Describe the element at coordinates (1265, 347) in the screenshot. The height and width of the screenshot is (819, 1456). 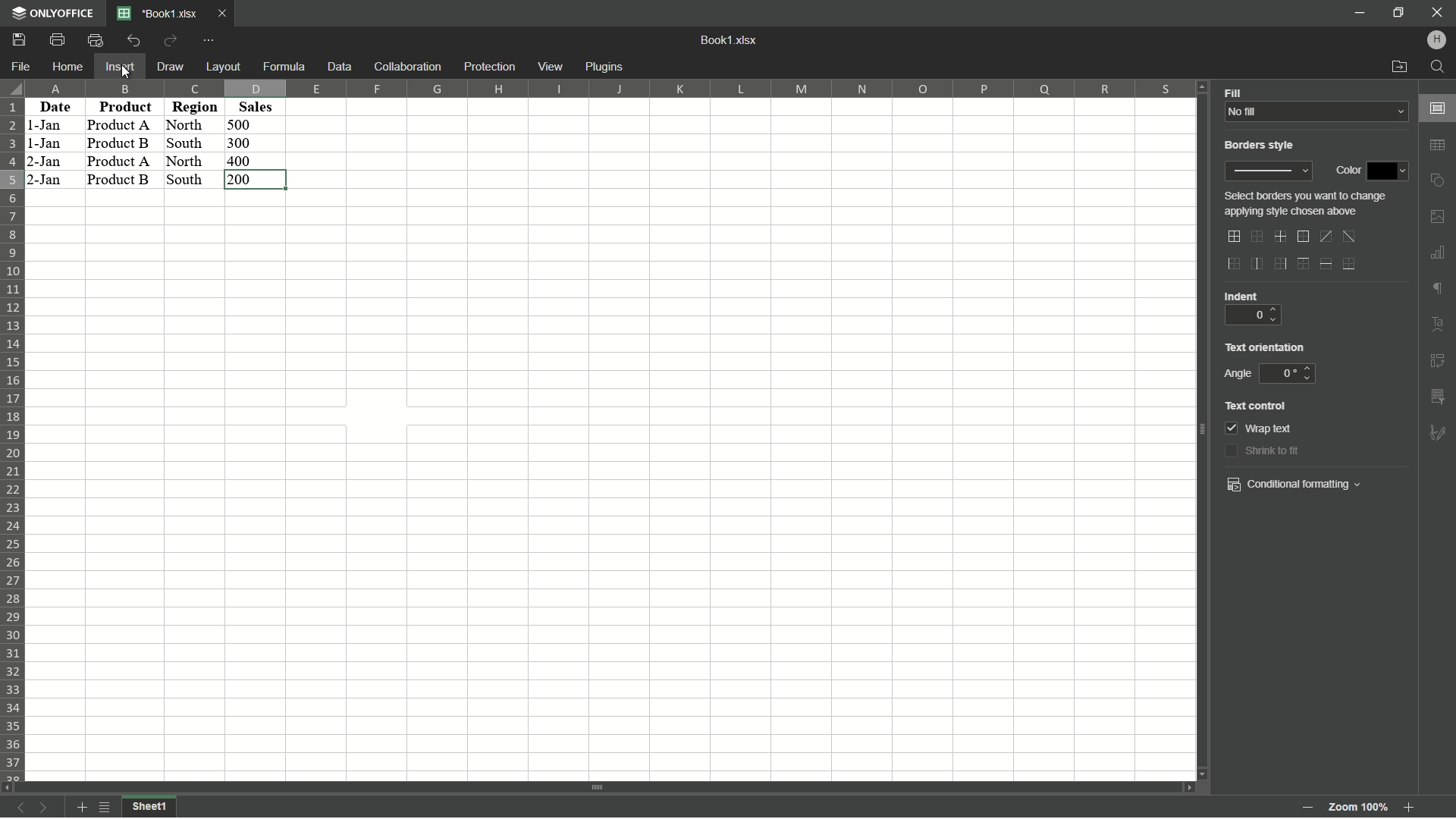
I see `text orientation` at that location.